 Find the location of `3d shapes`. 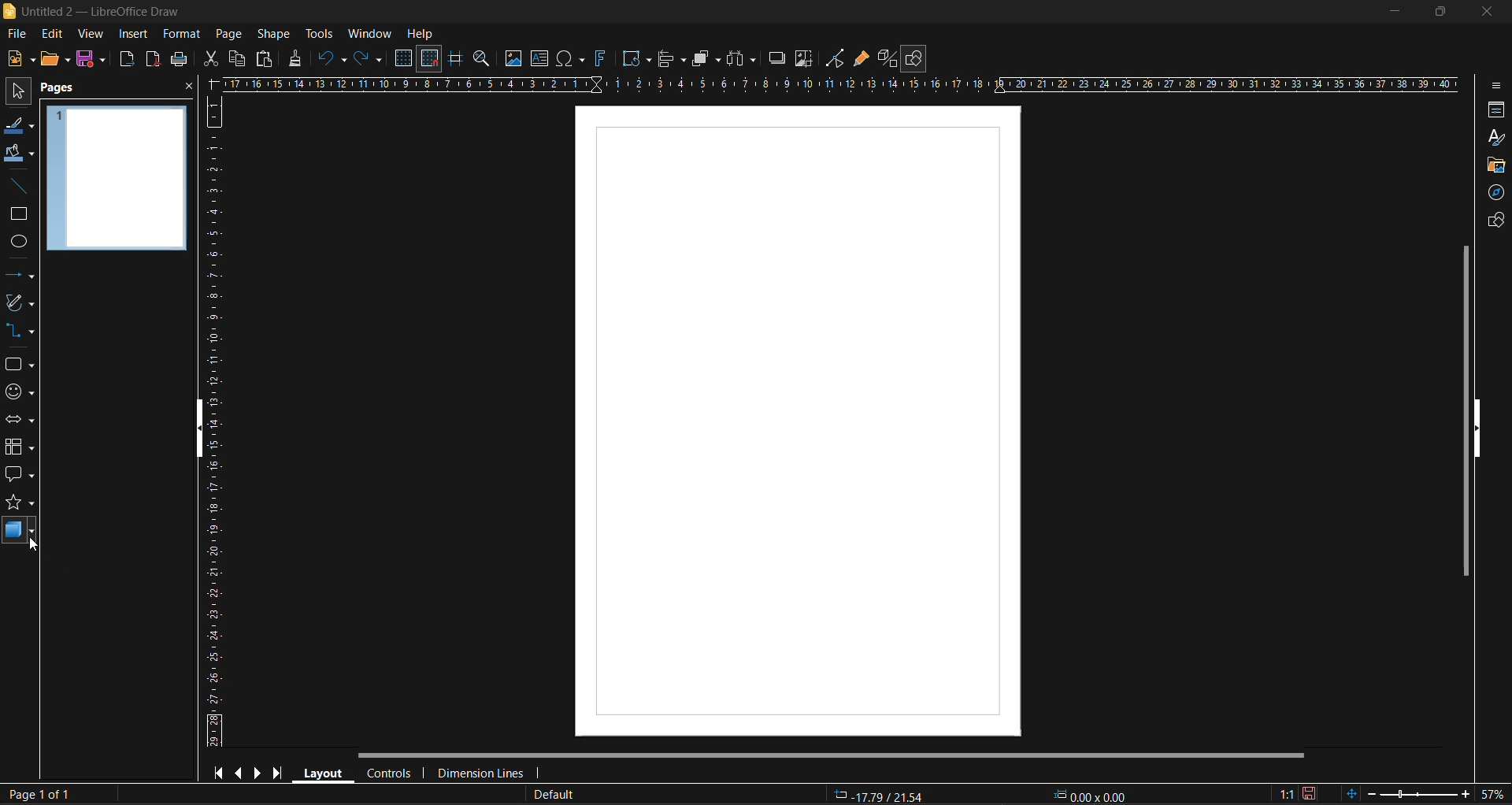

3d shapes is located at coordinates (20, 531).